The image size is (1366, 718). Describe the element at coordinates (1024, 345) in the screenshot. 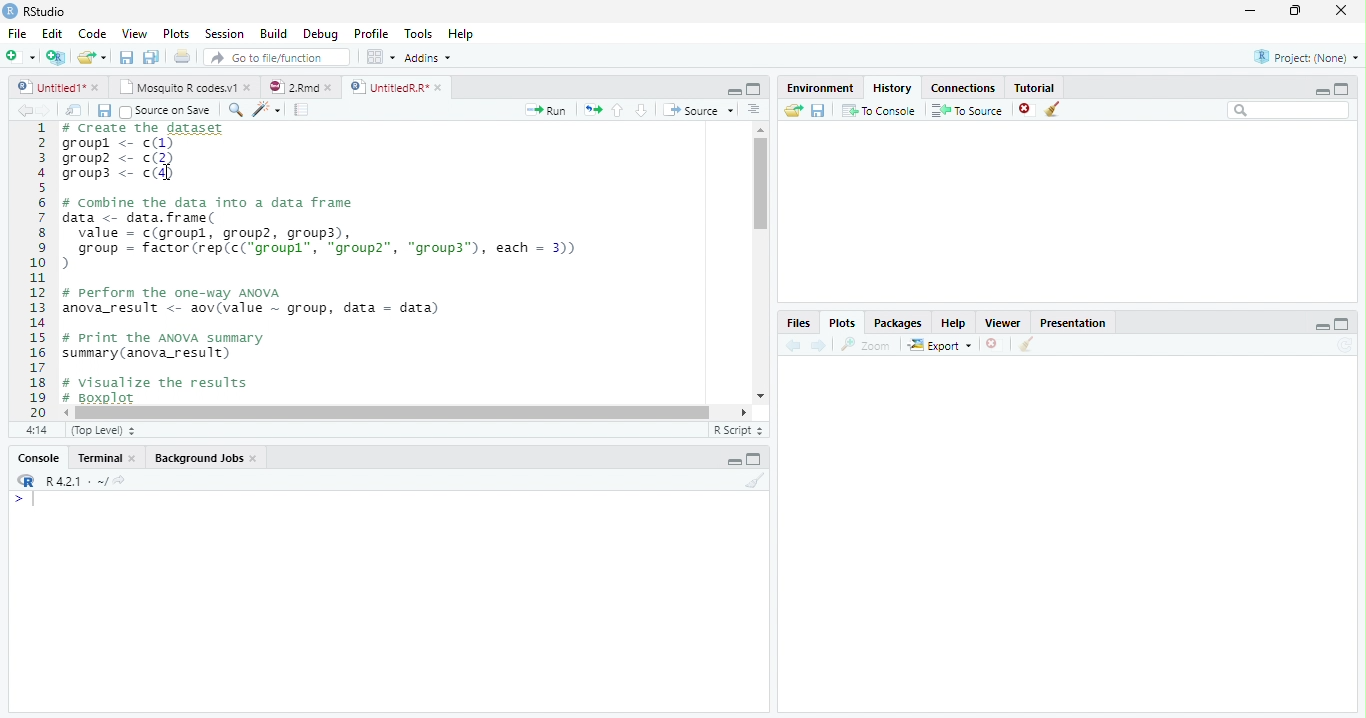

I see `Clear Console` at that location.